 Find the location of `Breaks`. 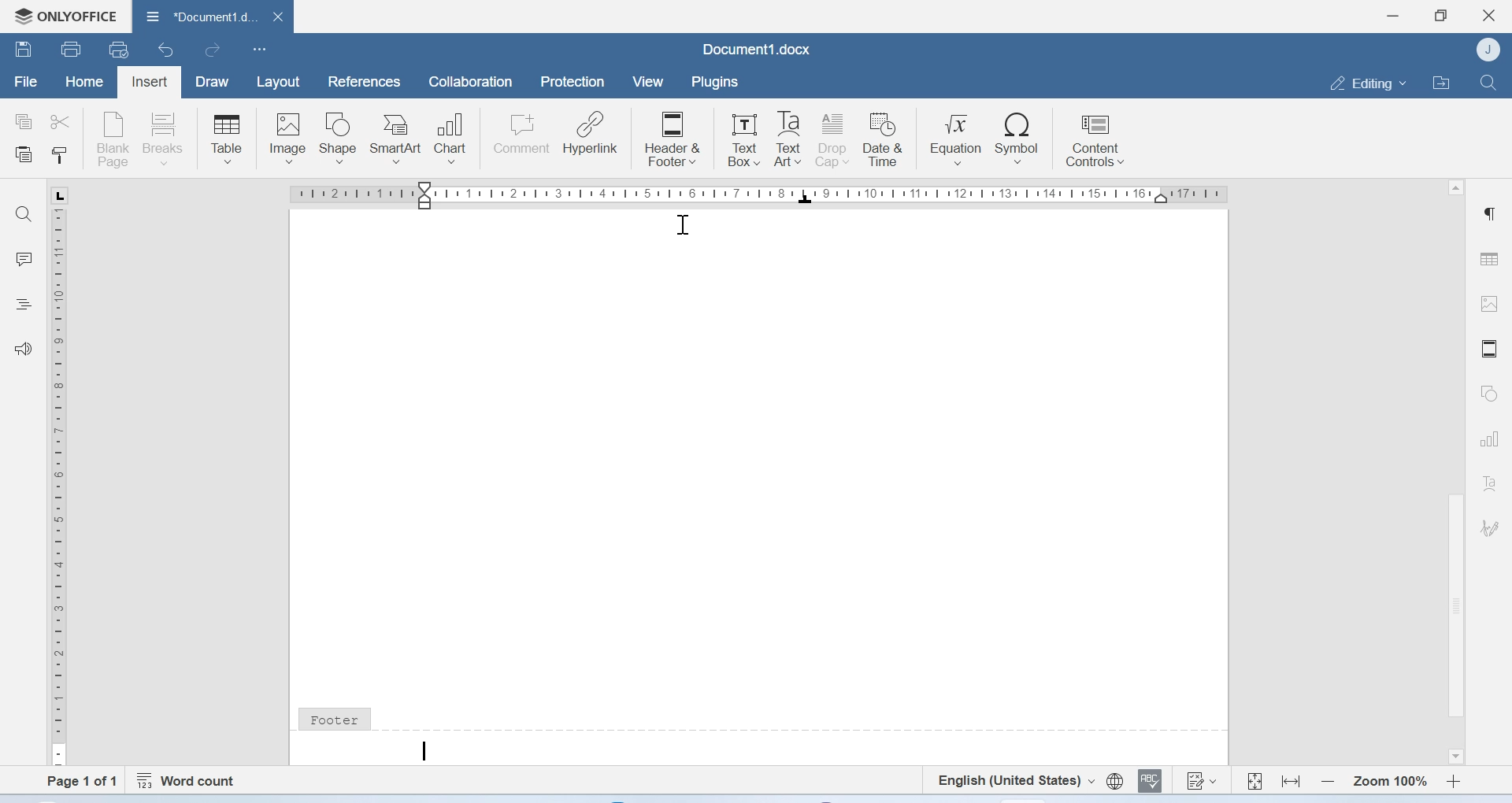

Breaks is located at coordinates (168, 138).